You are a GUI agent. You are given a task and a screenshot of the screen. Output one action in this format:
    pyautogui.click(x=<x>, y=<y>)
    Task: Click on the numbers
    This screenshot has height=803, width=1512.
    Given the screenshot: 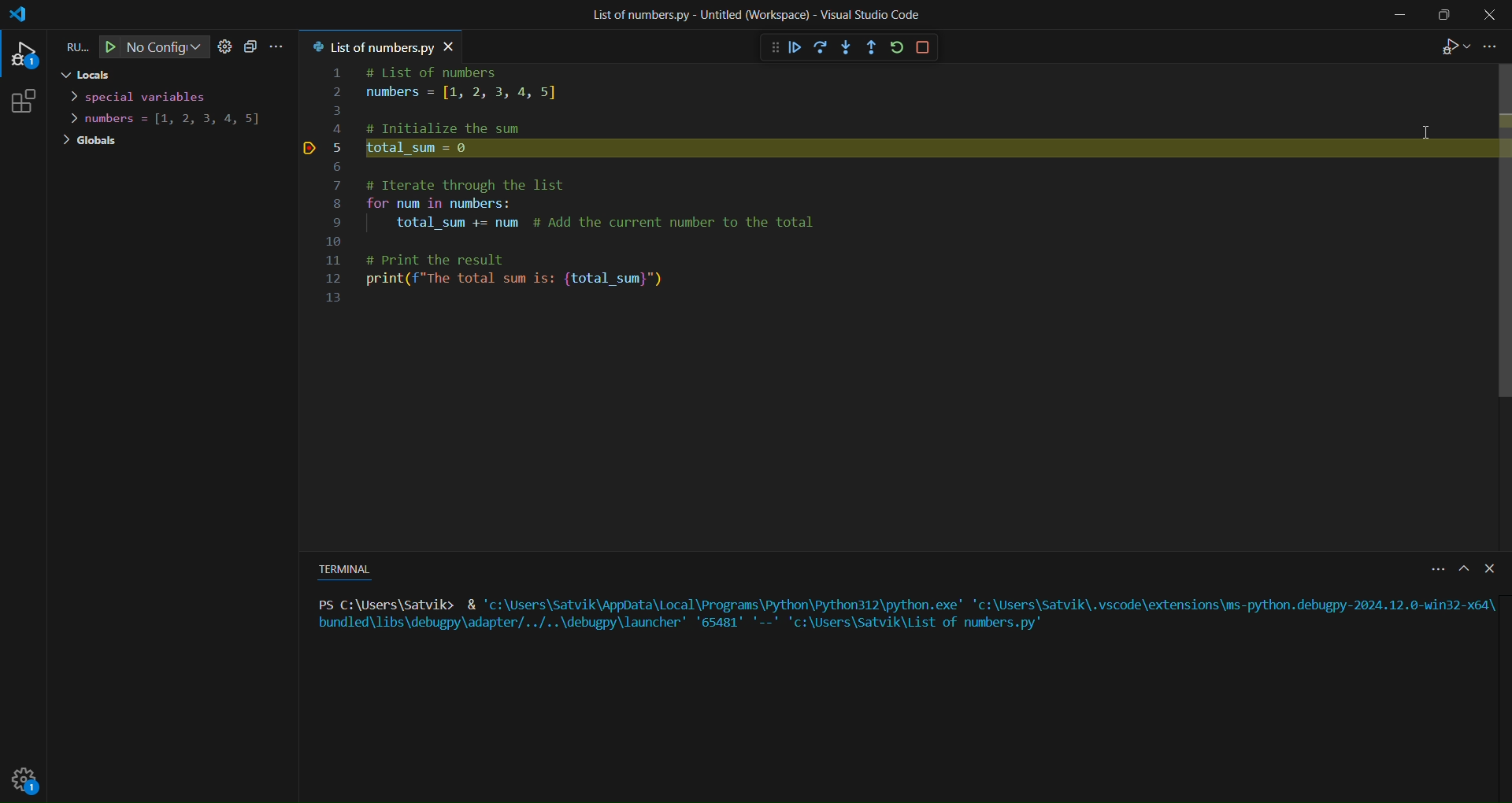 What is the action you would take?
    pyautogui.click(x=173, y=120)
    